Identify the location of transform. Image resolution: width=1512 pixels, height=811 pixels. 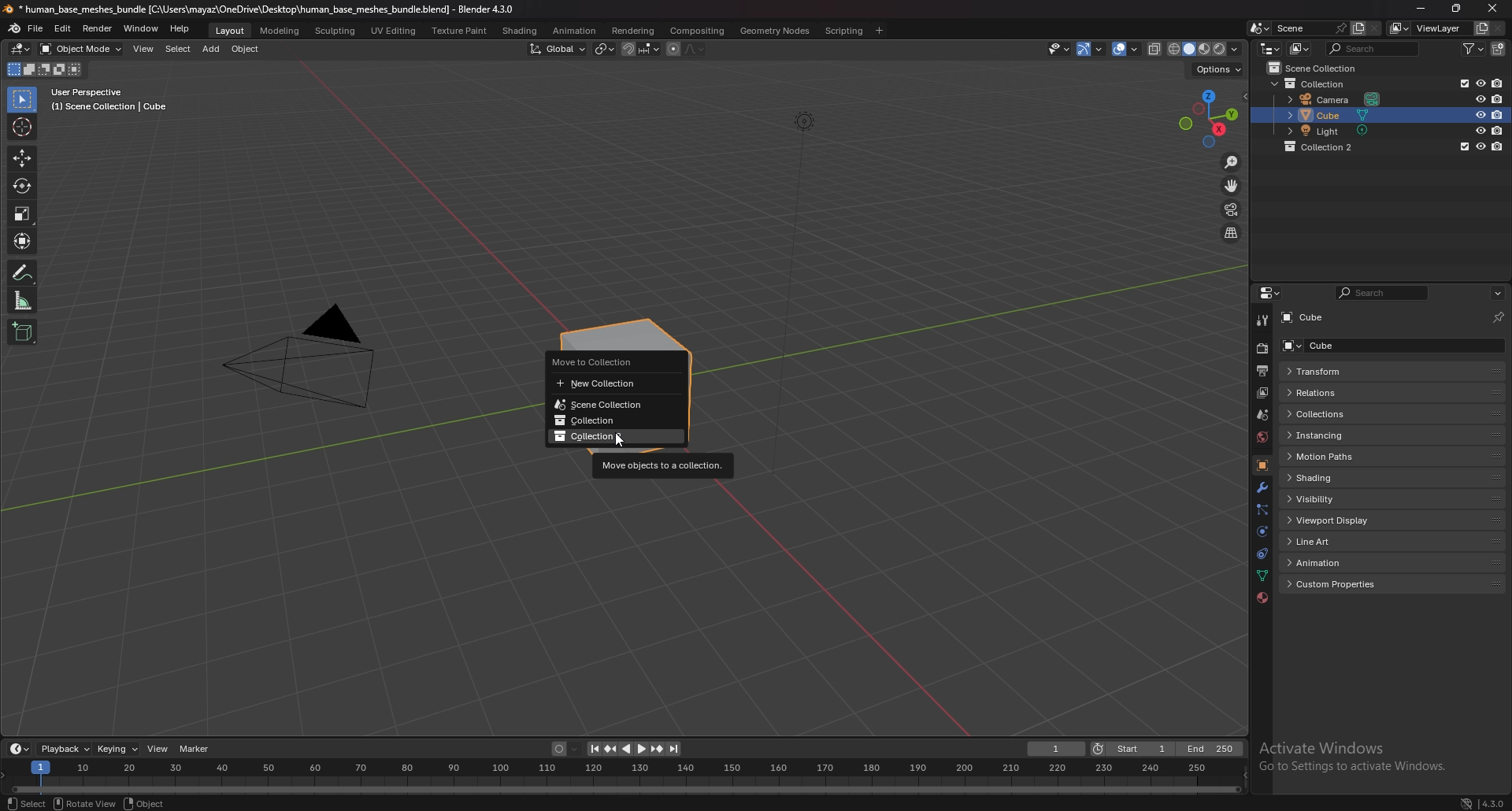
(1338, 371).